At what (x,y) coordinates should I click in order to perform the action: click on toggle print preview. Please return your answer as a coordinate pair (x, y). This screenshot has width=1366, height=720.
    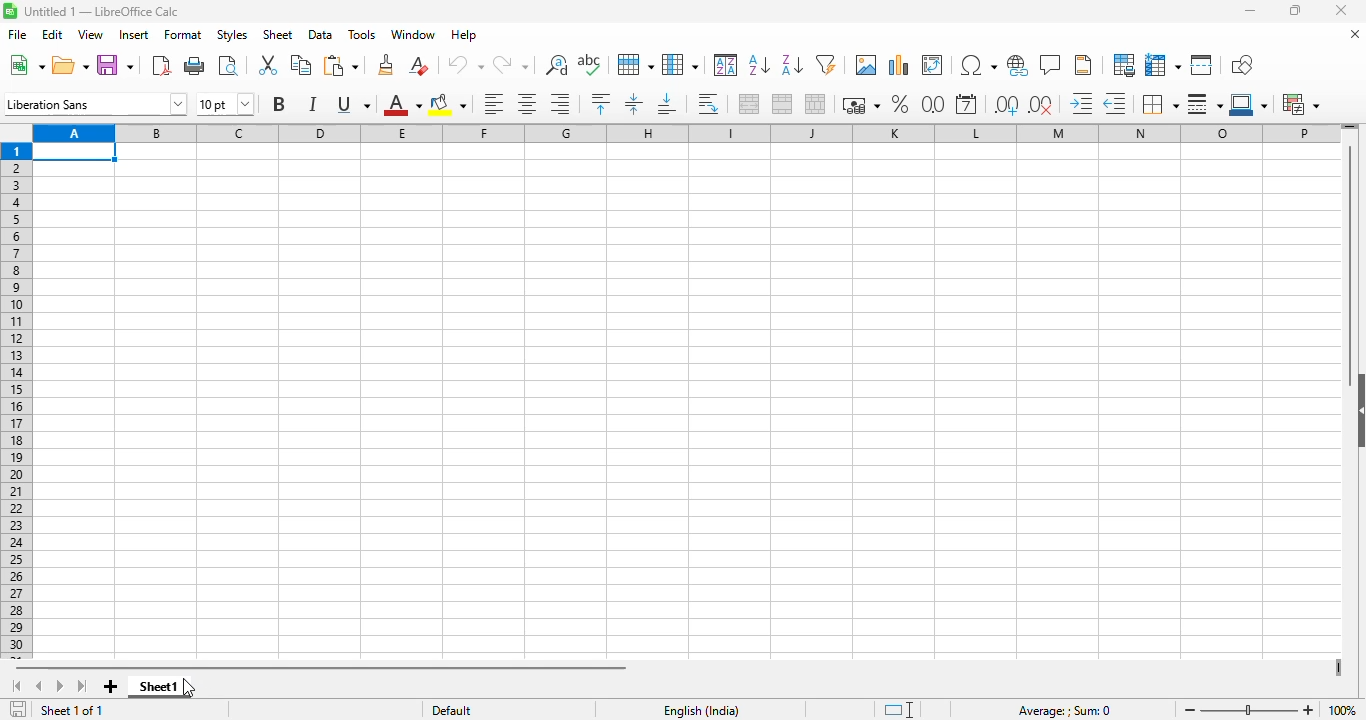
    Looking at the image, I should click on (229, 65).